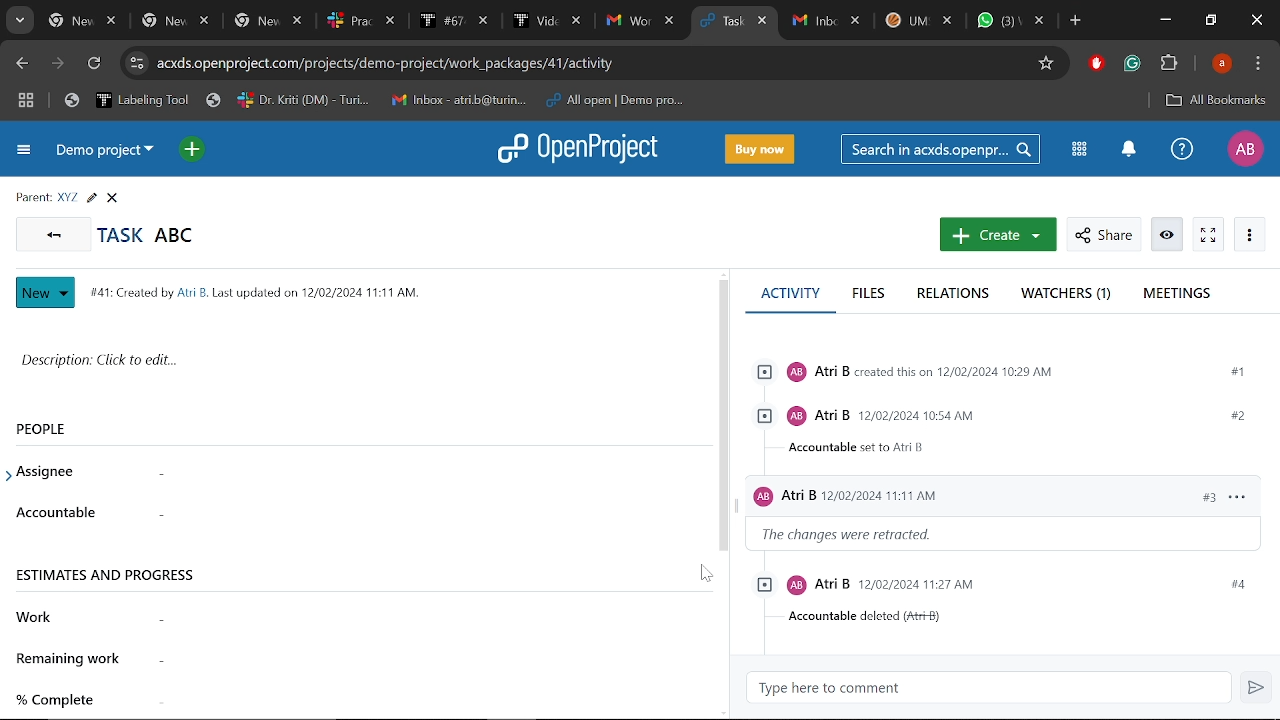 This screenshot has height=720, width=1280. What do you see at coordinates (1006, 497) in the screenshot?
I see `activity log: Atri B 12/02/2024 11:11 AM` at bounding box center [1006, 497].